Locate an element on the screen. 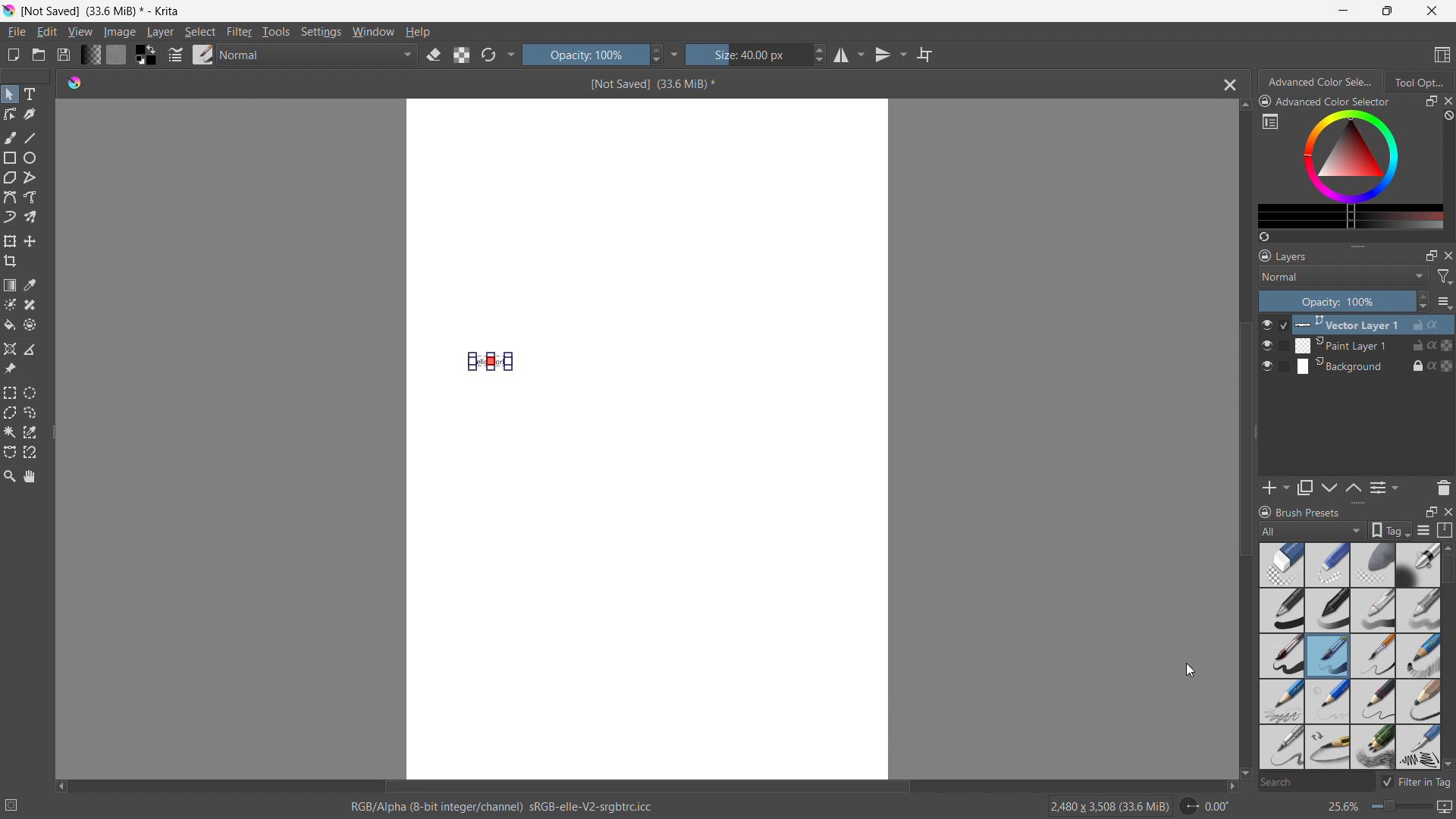  maximize is located at coordinates (1385, 11).